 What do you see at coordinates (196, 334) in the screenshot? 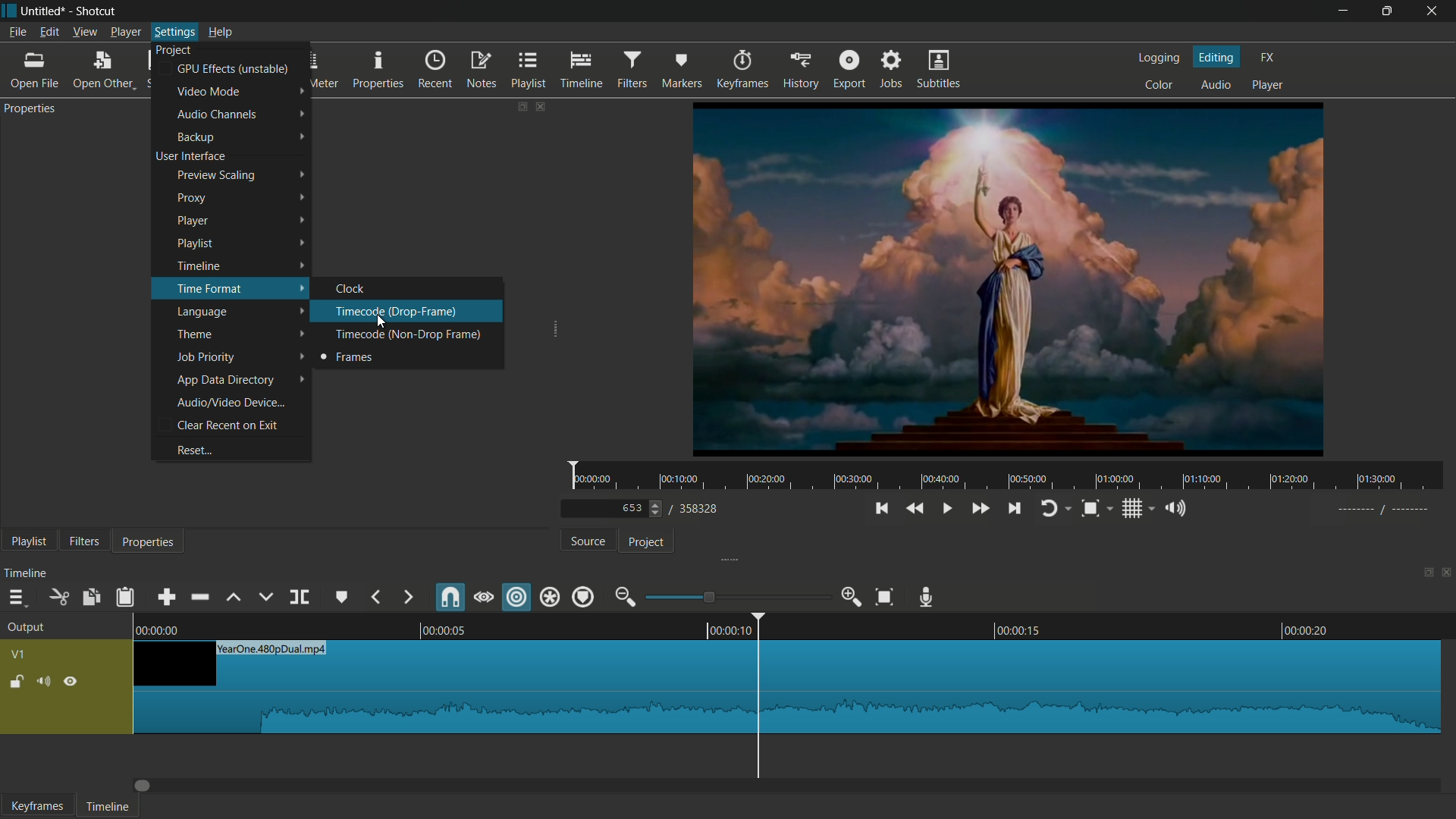
I see `theme` at bounding box center [196, 334].